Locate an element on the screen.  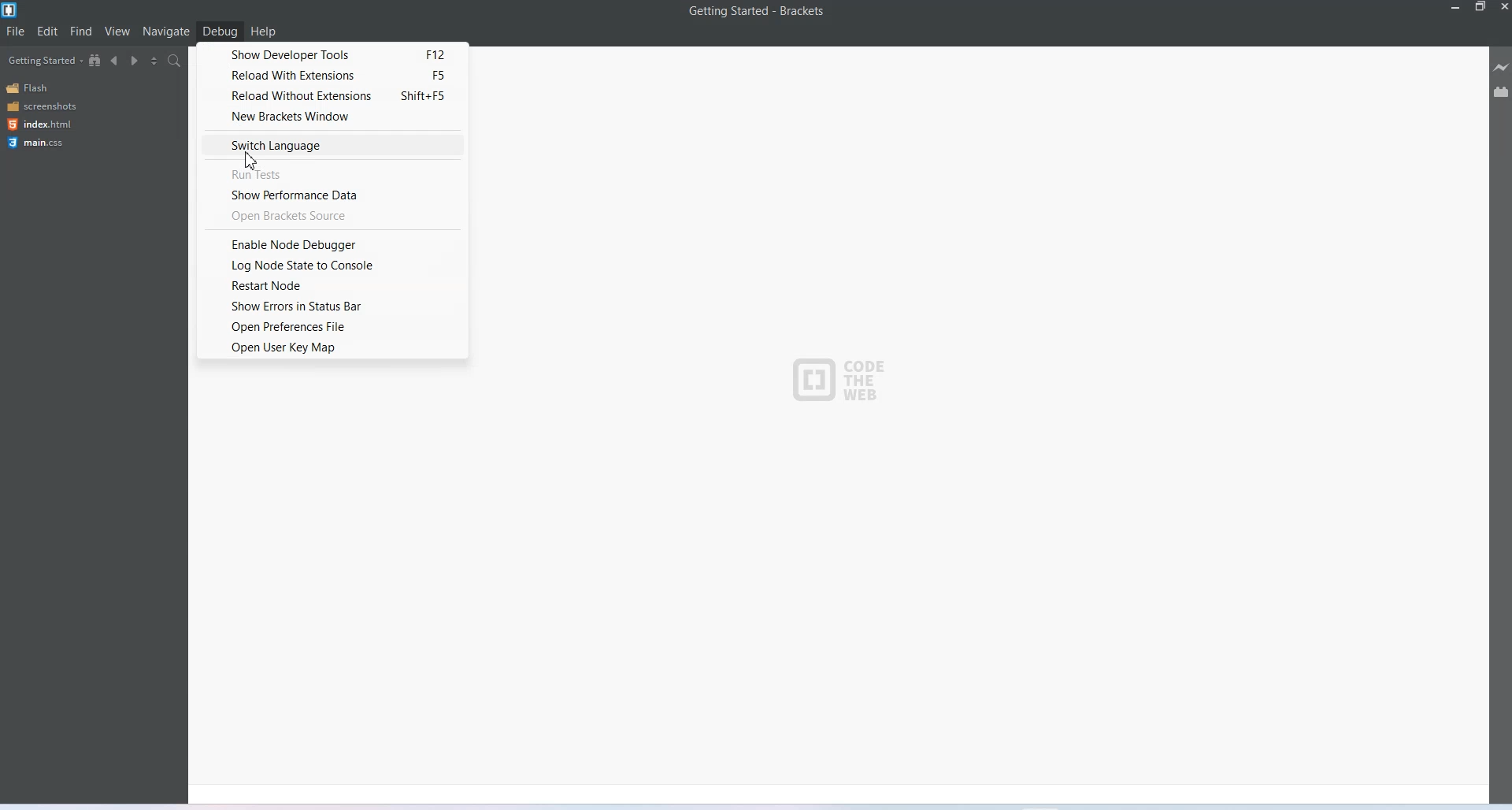
Find in files is located at coordinates (176, 60).